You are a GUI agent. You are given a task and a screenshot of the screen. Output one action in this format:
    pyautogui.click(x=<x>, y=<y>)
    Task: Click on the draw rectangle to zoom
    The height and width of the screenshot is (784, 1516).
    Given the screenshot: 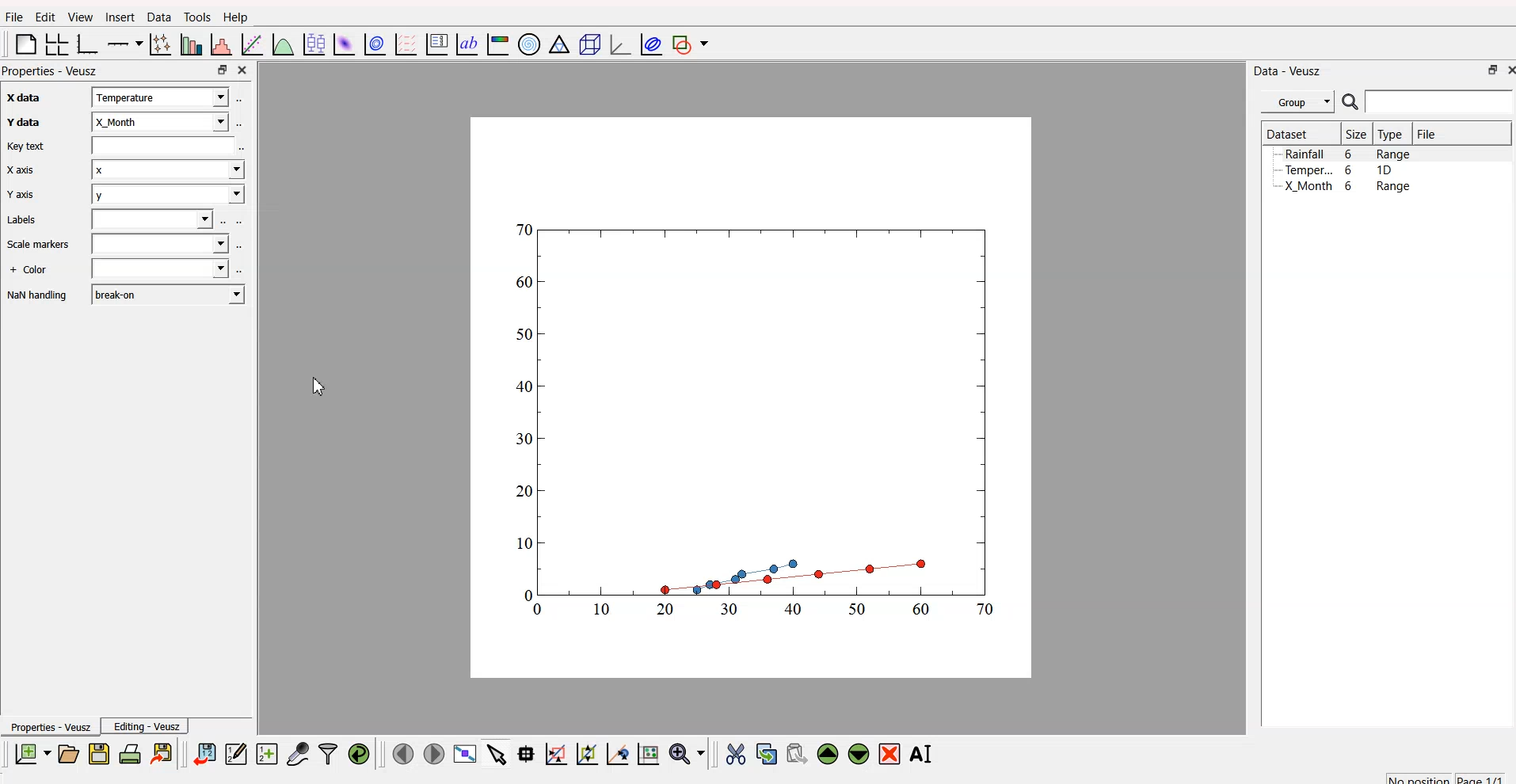 What is the action you would take?
    pyautogui.click(x=556, y=753)
    